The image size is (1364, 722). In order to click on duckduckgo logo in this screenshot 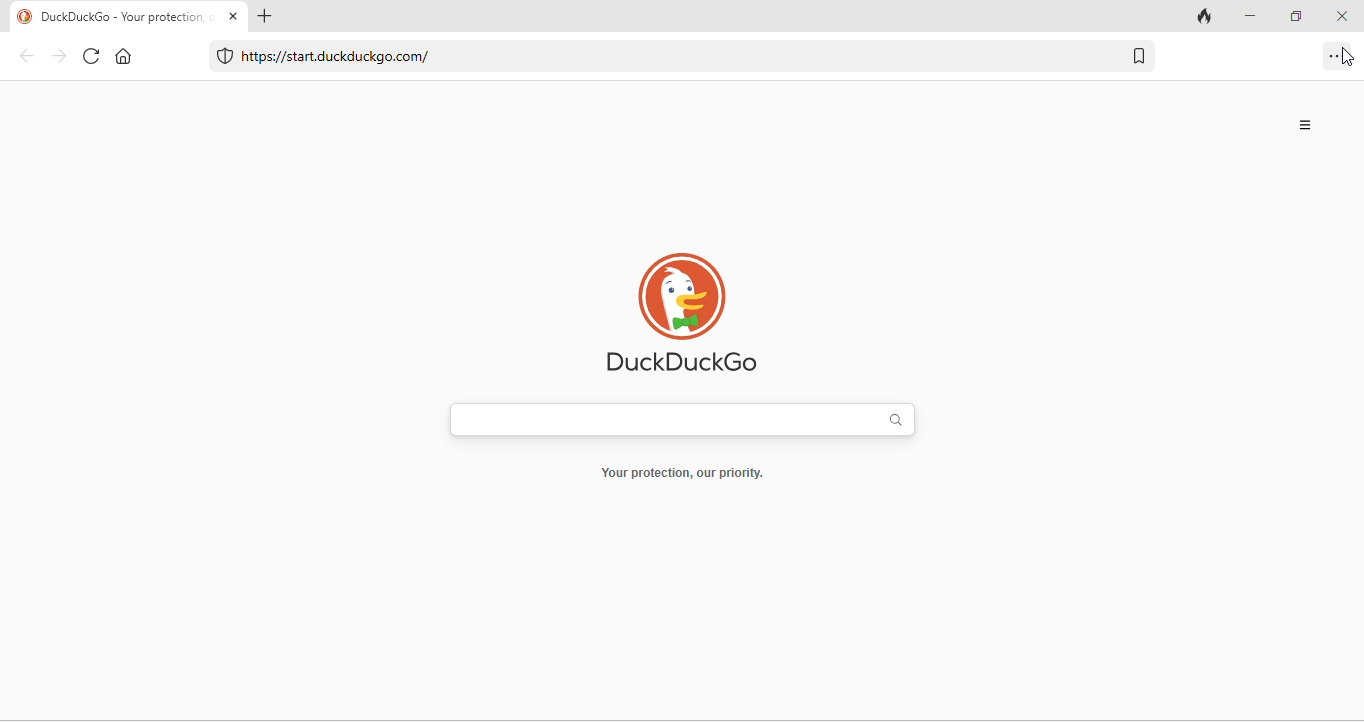, I will do `click(681, 311)`.